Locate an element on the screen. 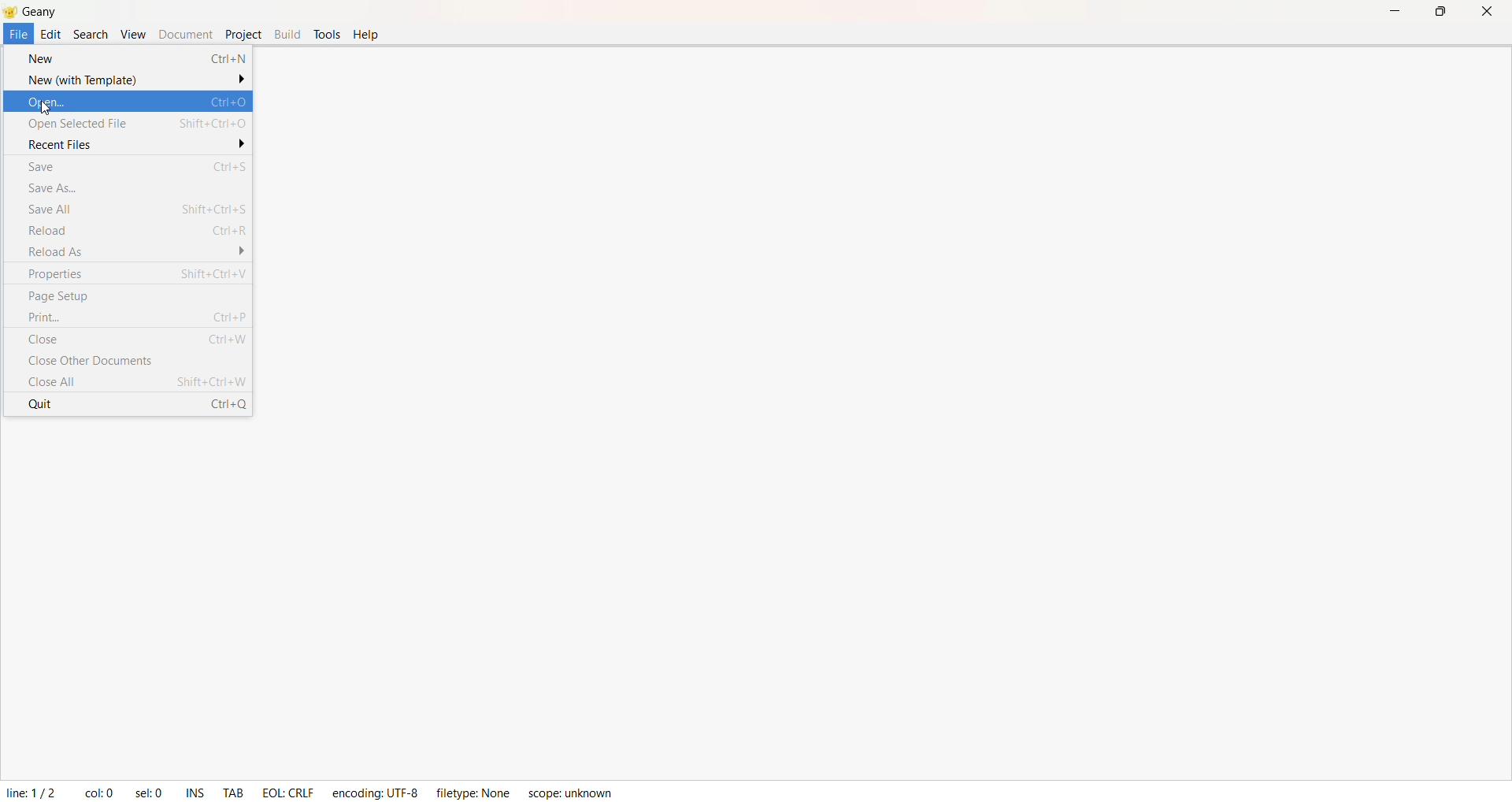 This screenshot has width=1512, height=802. View is located at coordinates (132, 34).